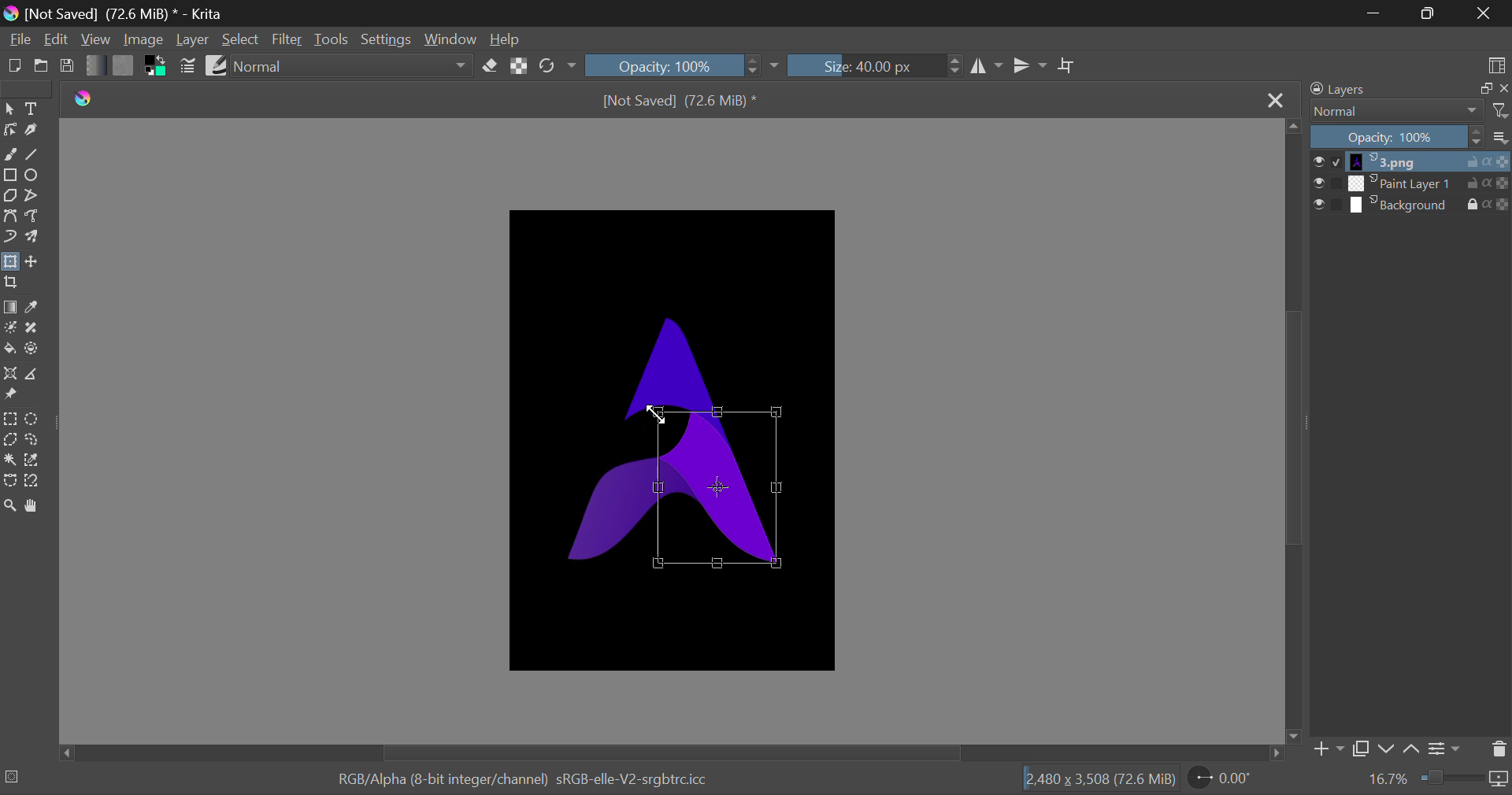  Describe the element at coordinates (1488, 204) in the screenshot. I see `actions` at that location.